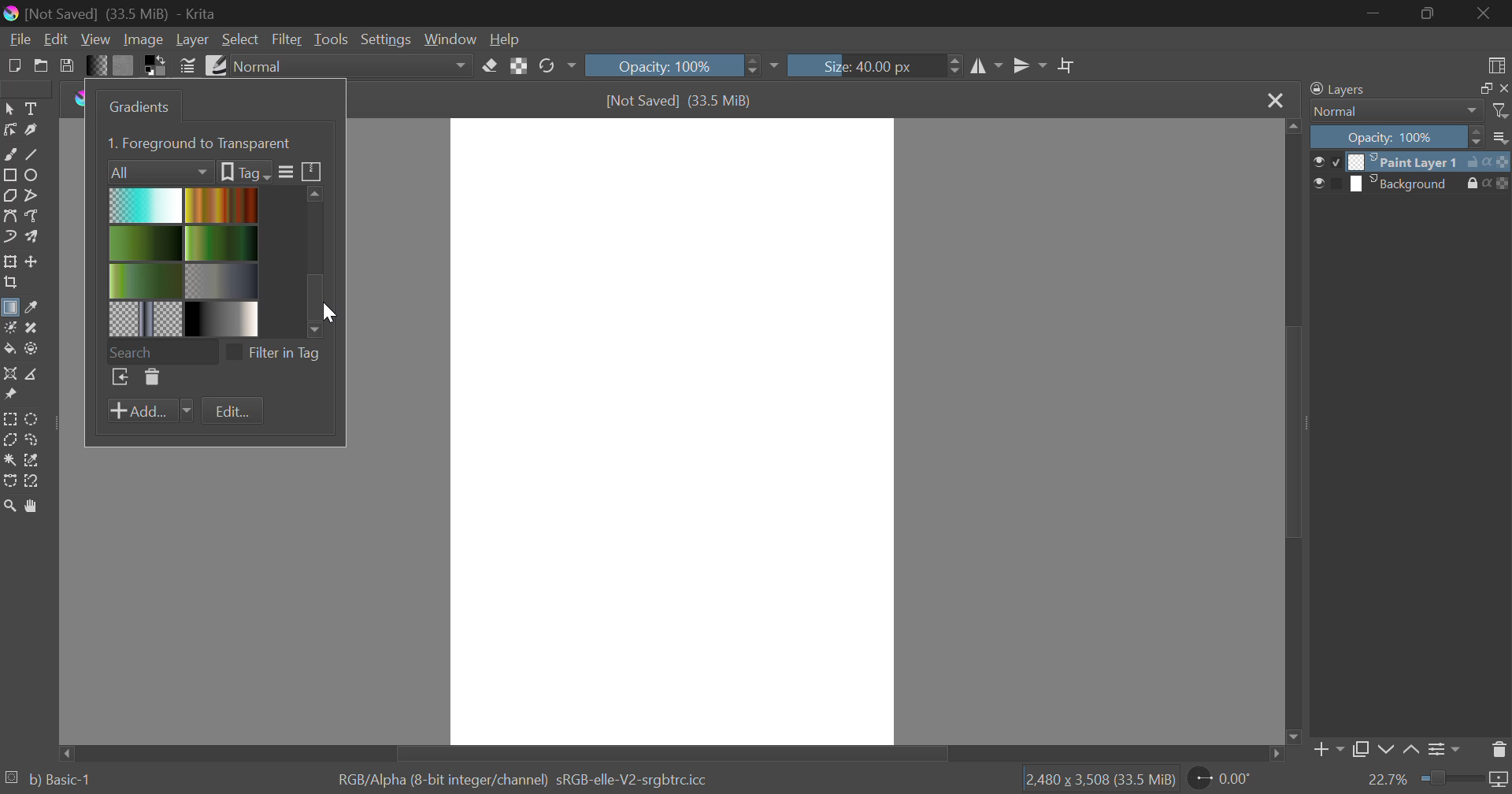 This screenshot has height=794, width=1512. I want to click on Layer, so click(192, 39).